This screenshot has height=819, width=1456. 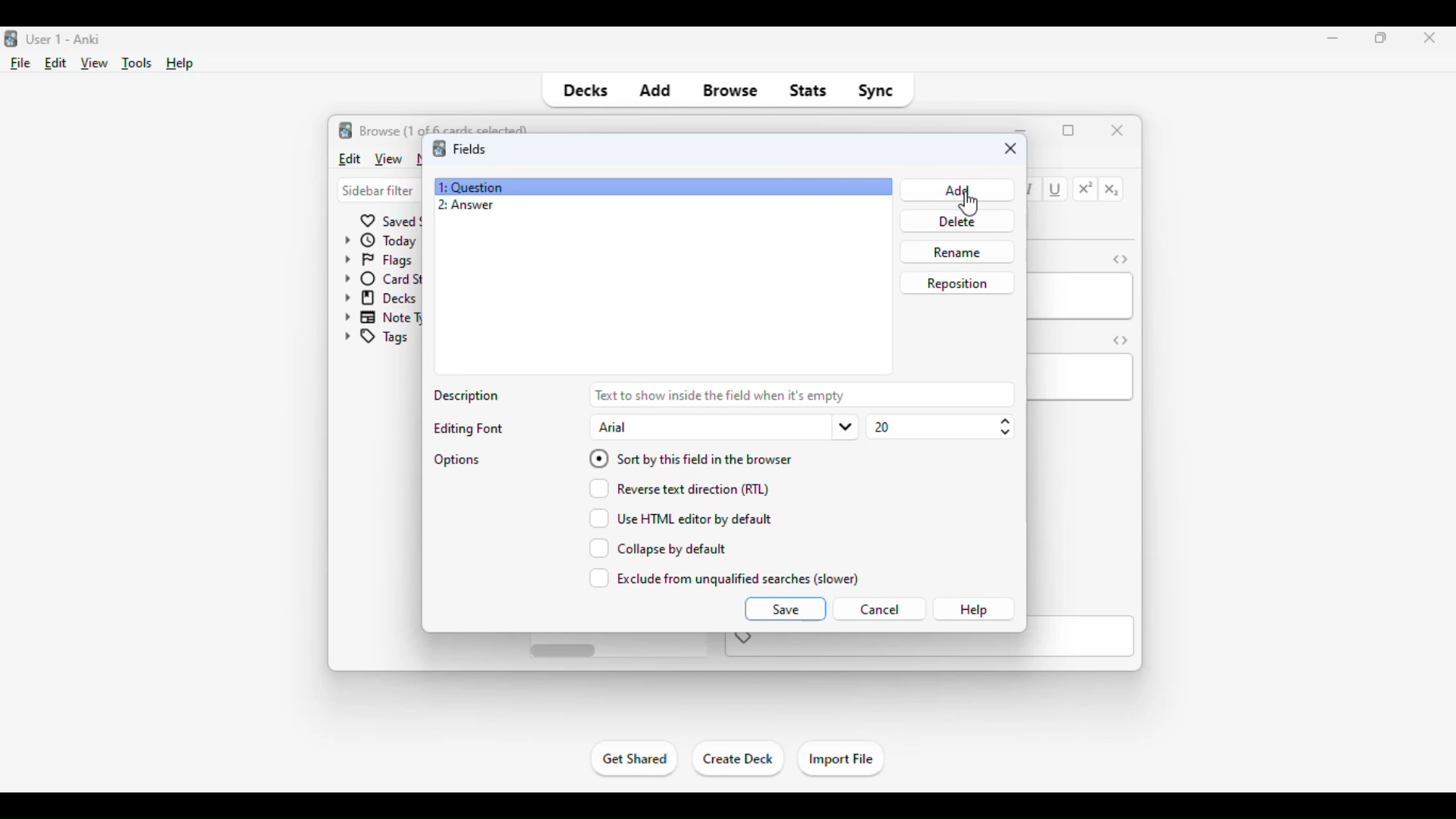 I want to click on fields, so click(x=469, y=148).